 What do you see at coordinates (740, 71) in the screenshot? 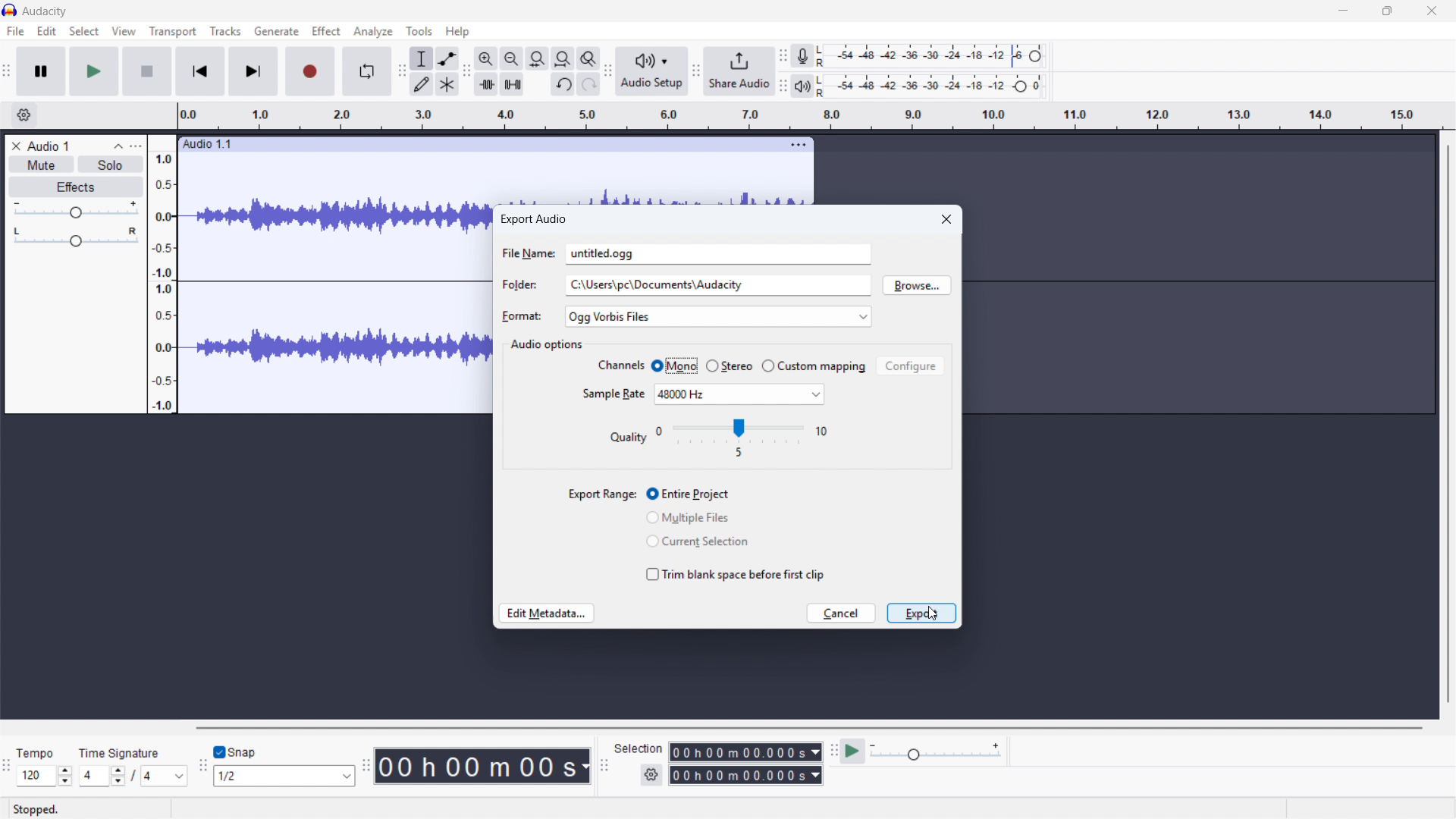
I see `Share audio ` at bounding box center [740, 71].